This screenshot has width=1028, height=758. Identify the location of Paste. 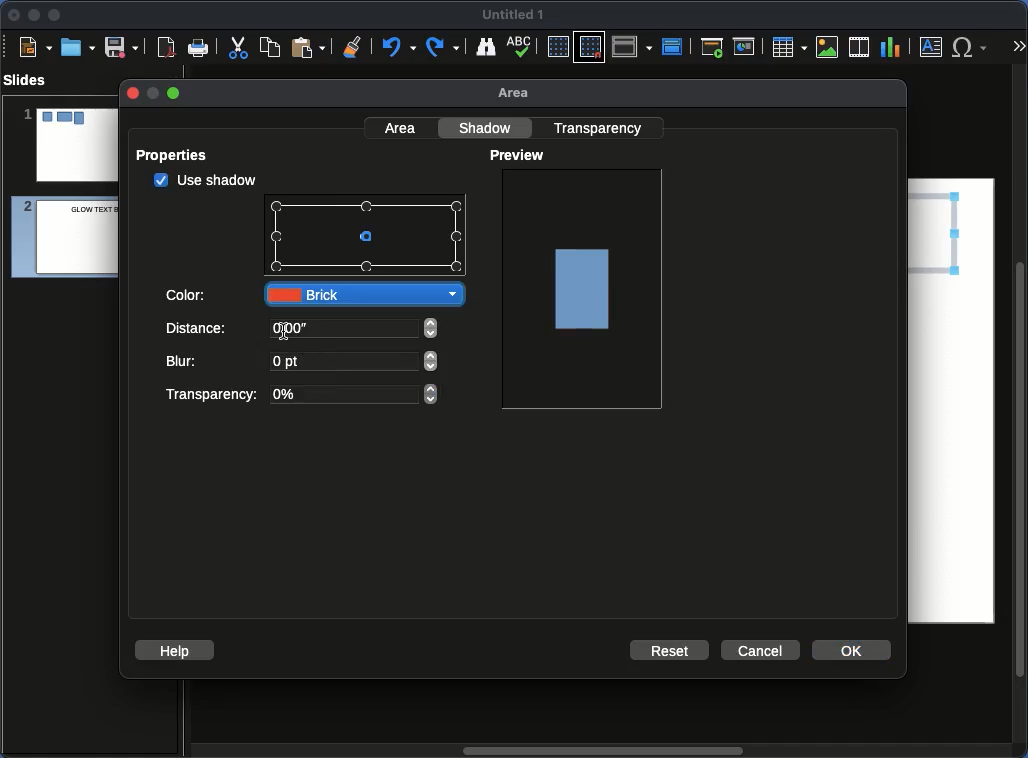
(308, 46).